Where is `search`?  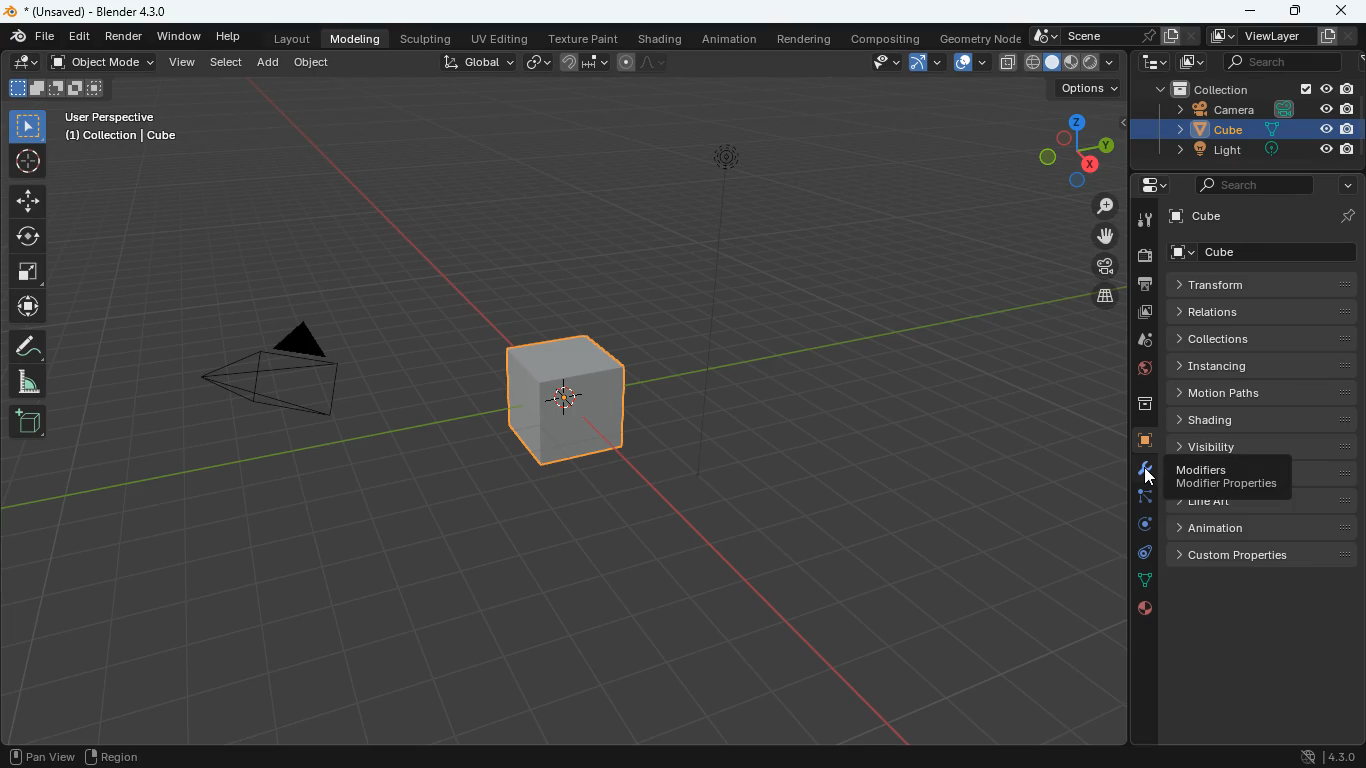
search is located at coordinates (1249, 184).